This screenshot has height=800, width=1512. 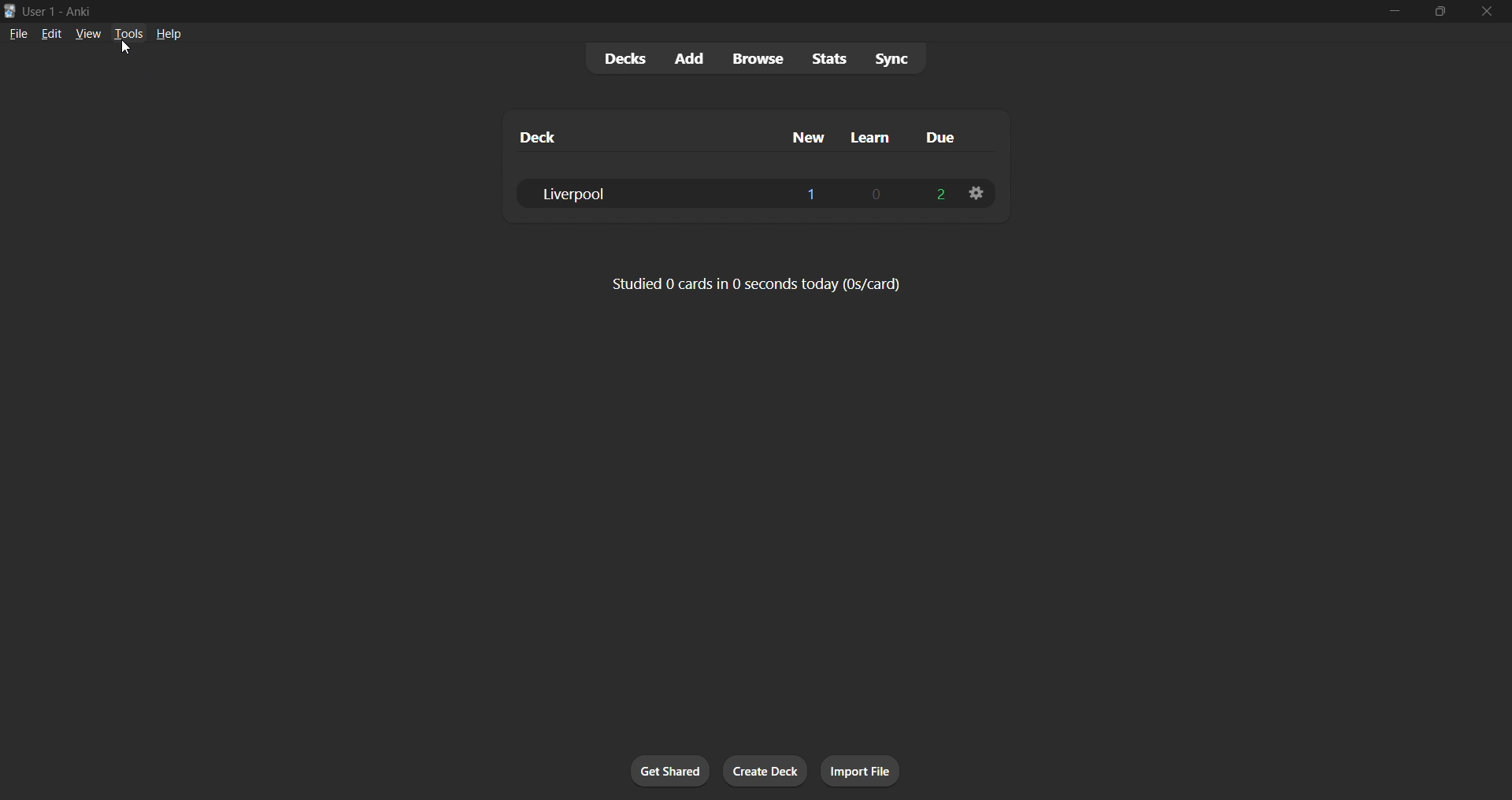 I want to click on add, so click(x=686, y=58).